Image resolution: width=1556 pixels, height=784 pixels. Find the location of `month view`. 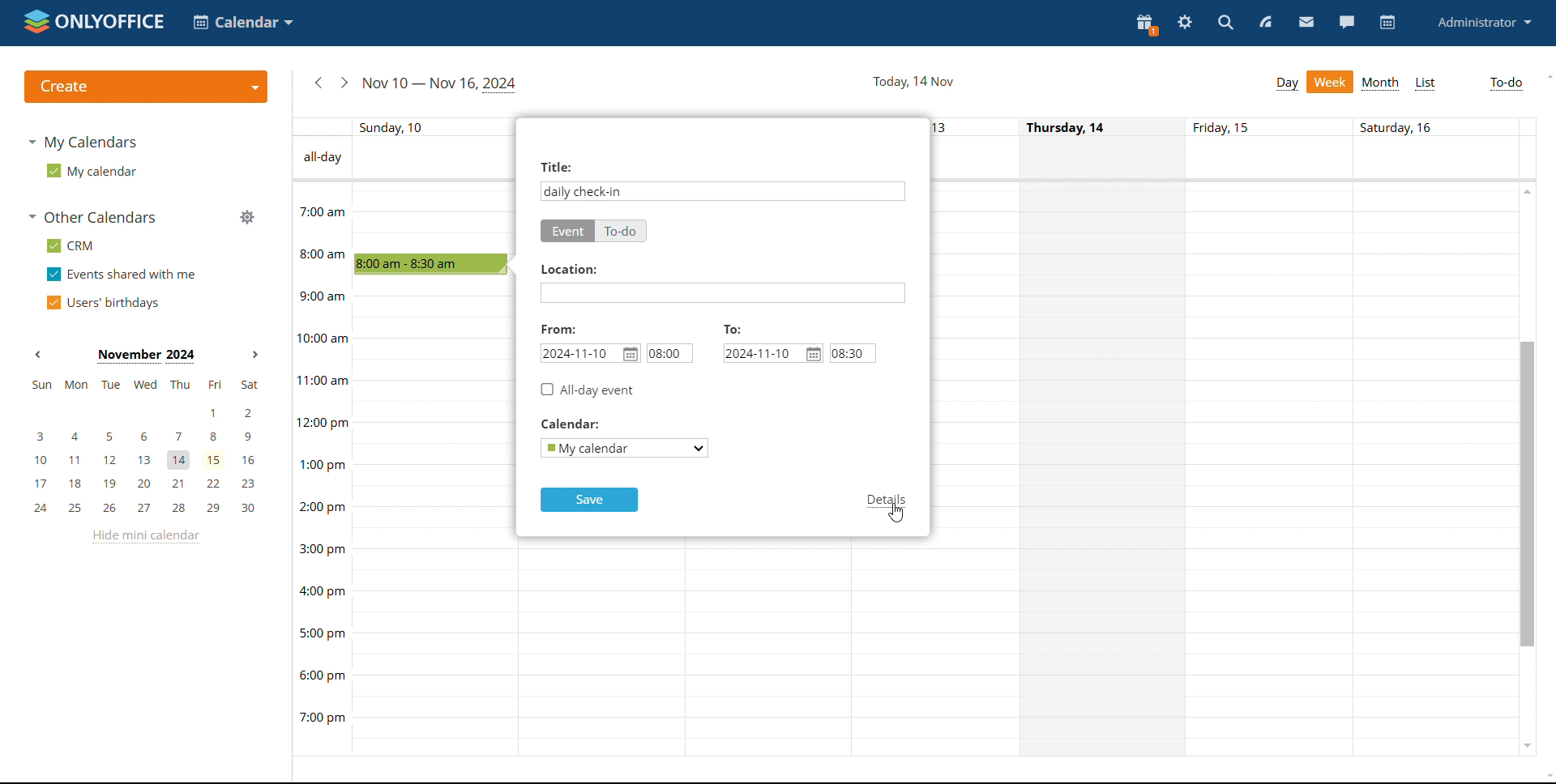

month view is located at coordinates (1381, 84).